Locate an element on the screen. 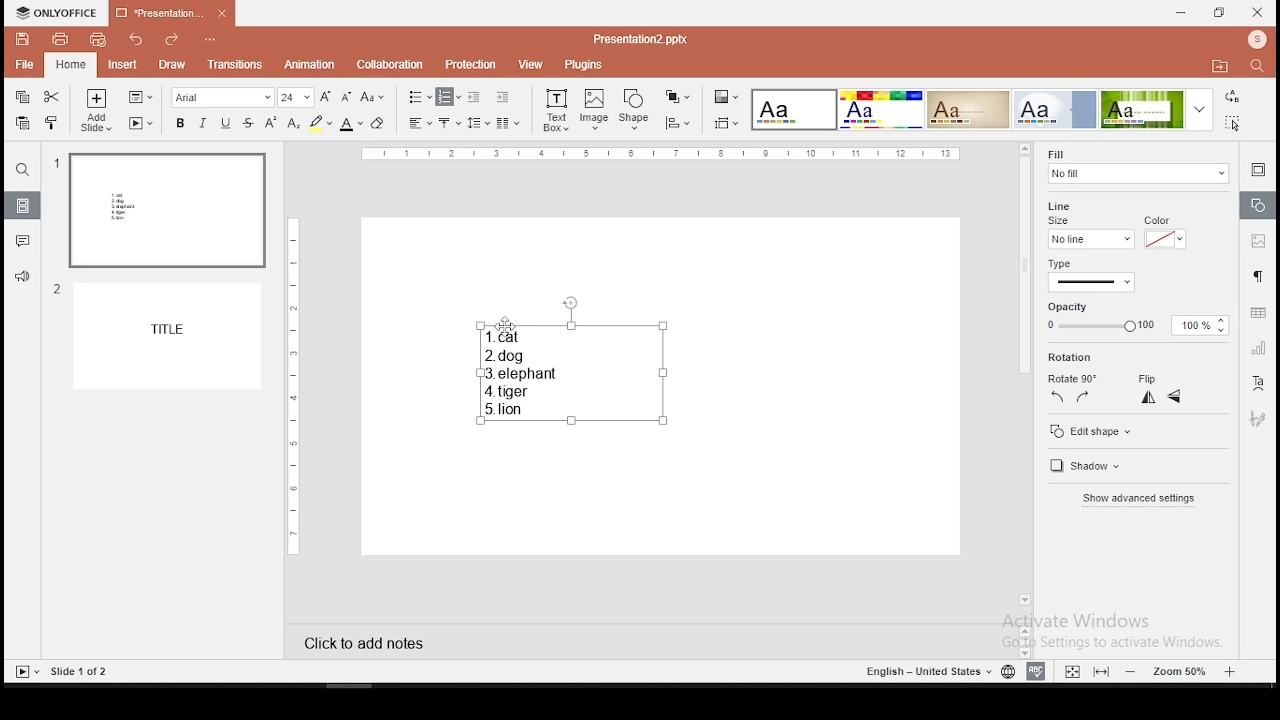  font is located at coordinates (224, 97).